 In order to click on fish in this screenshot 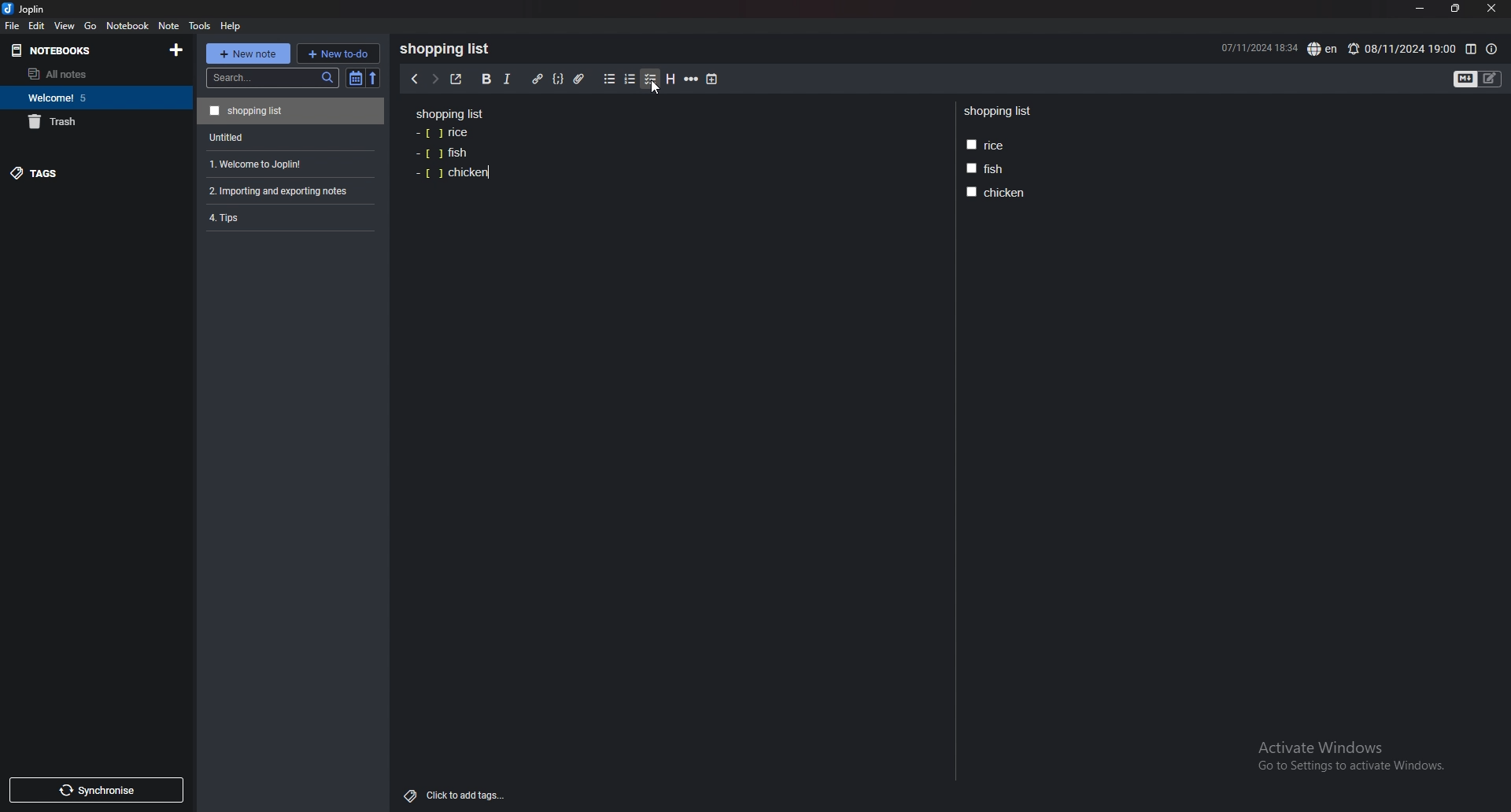, I will do `click(984, 168)`.